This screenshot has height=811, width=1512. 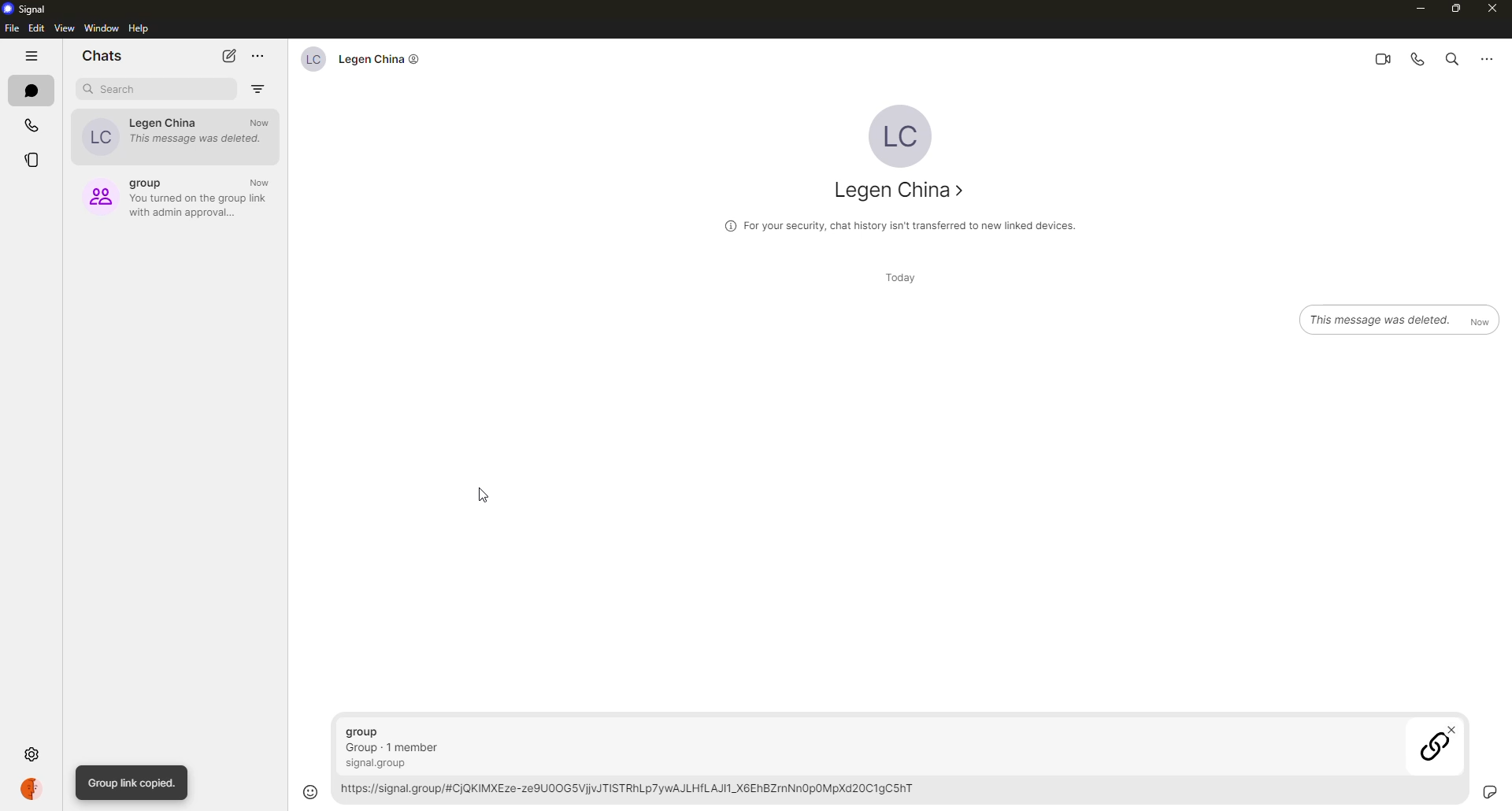 What do you see at coordinates (1461, 791) in the screenshot?
I see `record` at bounding box center [1461, 791].